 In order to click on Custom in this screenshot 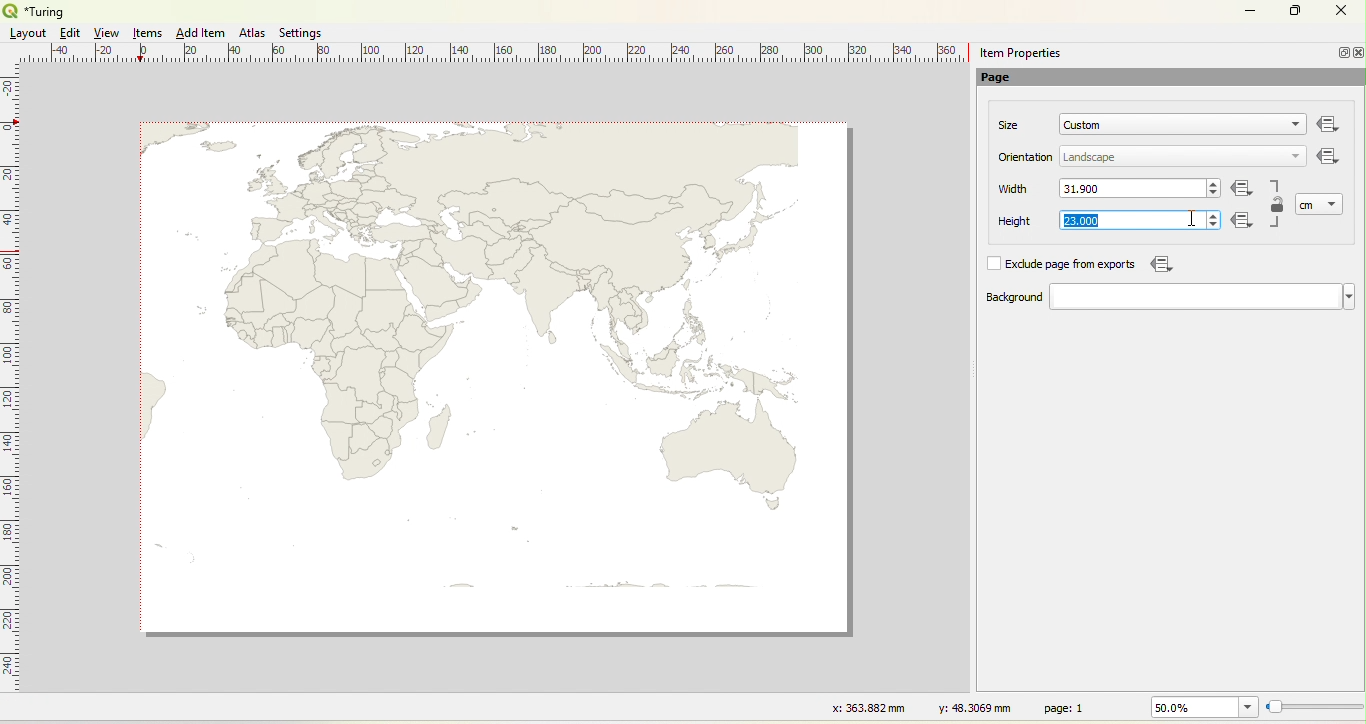, I will do `click(1083, 125)`.